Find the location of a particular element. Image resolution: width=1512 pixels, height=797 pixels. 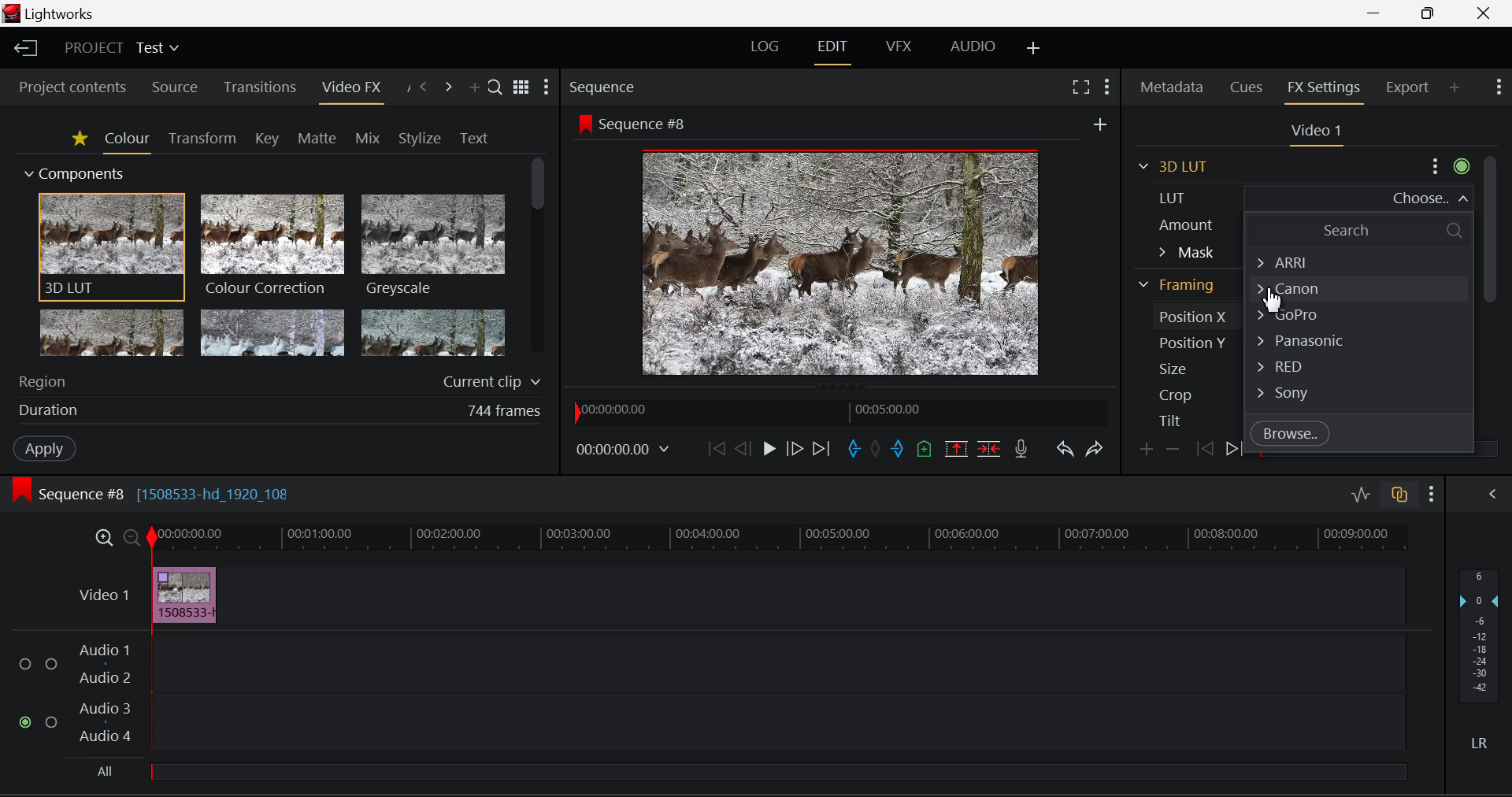

Project Title is located at coordinates (123, 46).